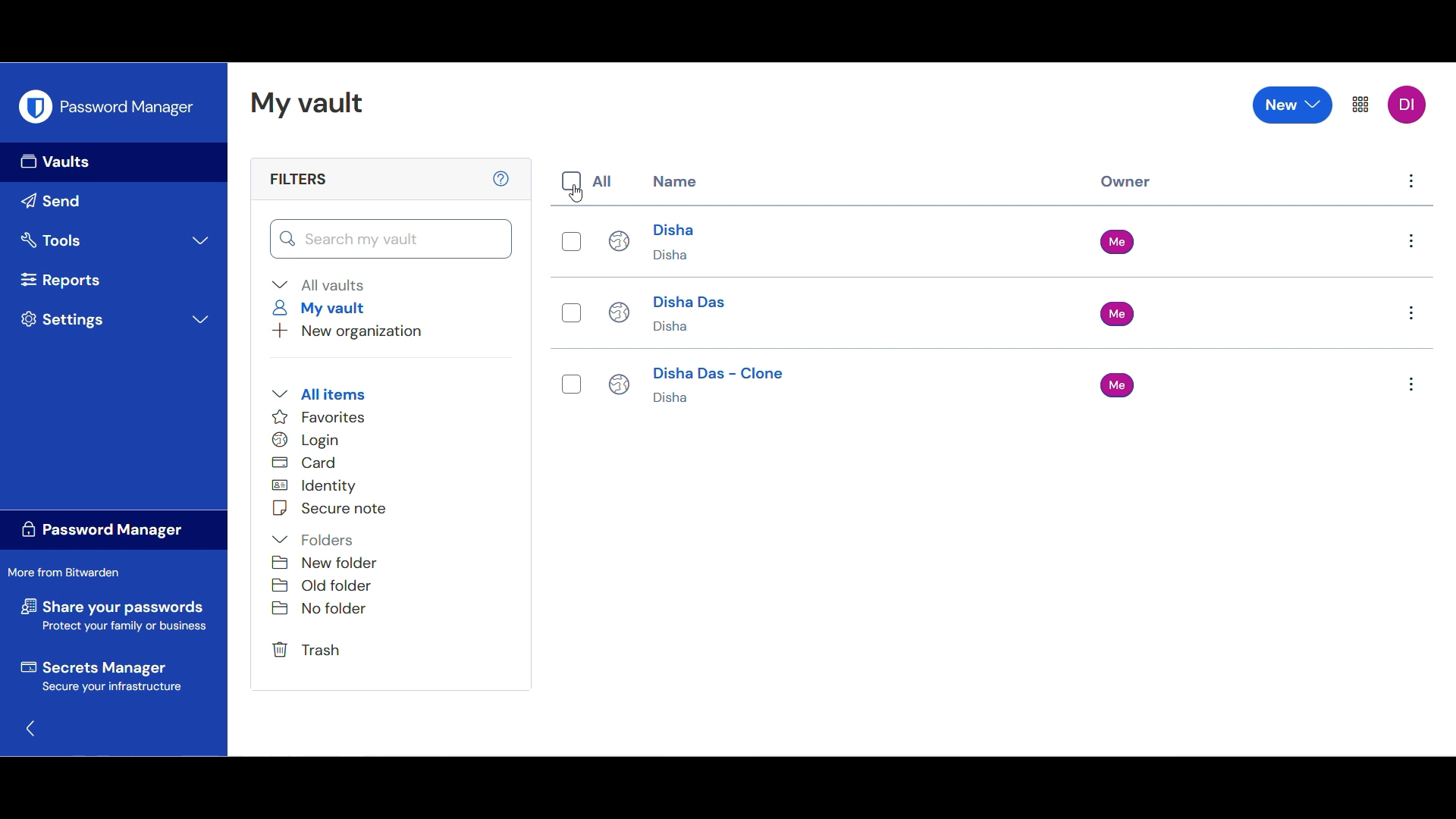 The width and height of the screenshot is (1456, 819). I want to click on Password manager, so click(113, 531).